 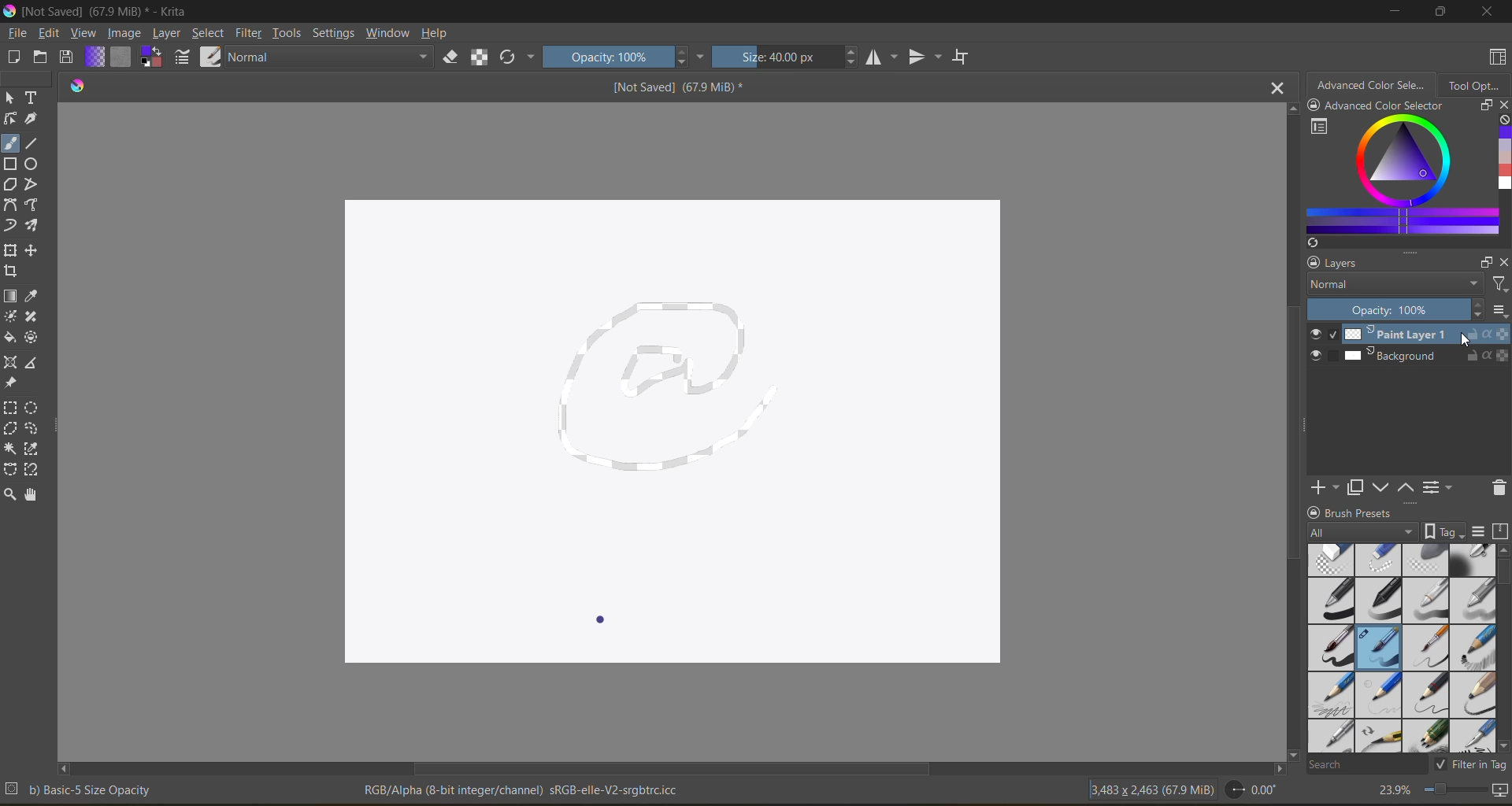 I want to click on light grey pen, so click(x=1427, y=601).